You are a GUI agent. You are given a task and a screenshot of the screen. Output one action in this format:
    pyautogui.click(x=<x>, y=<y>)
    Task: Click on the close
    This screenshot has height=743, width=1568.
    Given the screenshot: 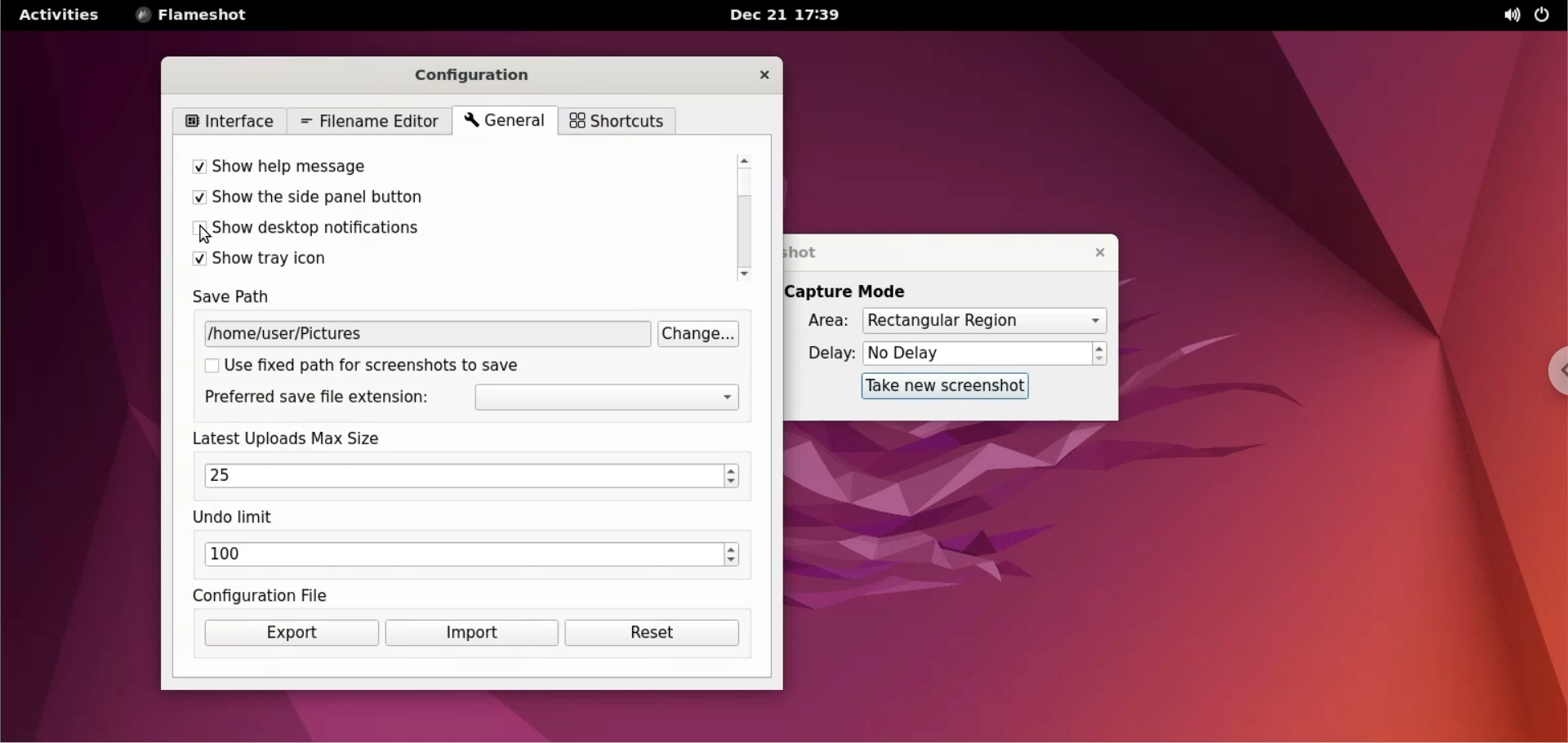 What is the action you would take?
    pyautogui.click(x=765, y=75)
    